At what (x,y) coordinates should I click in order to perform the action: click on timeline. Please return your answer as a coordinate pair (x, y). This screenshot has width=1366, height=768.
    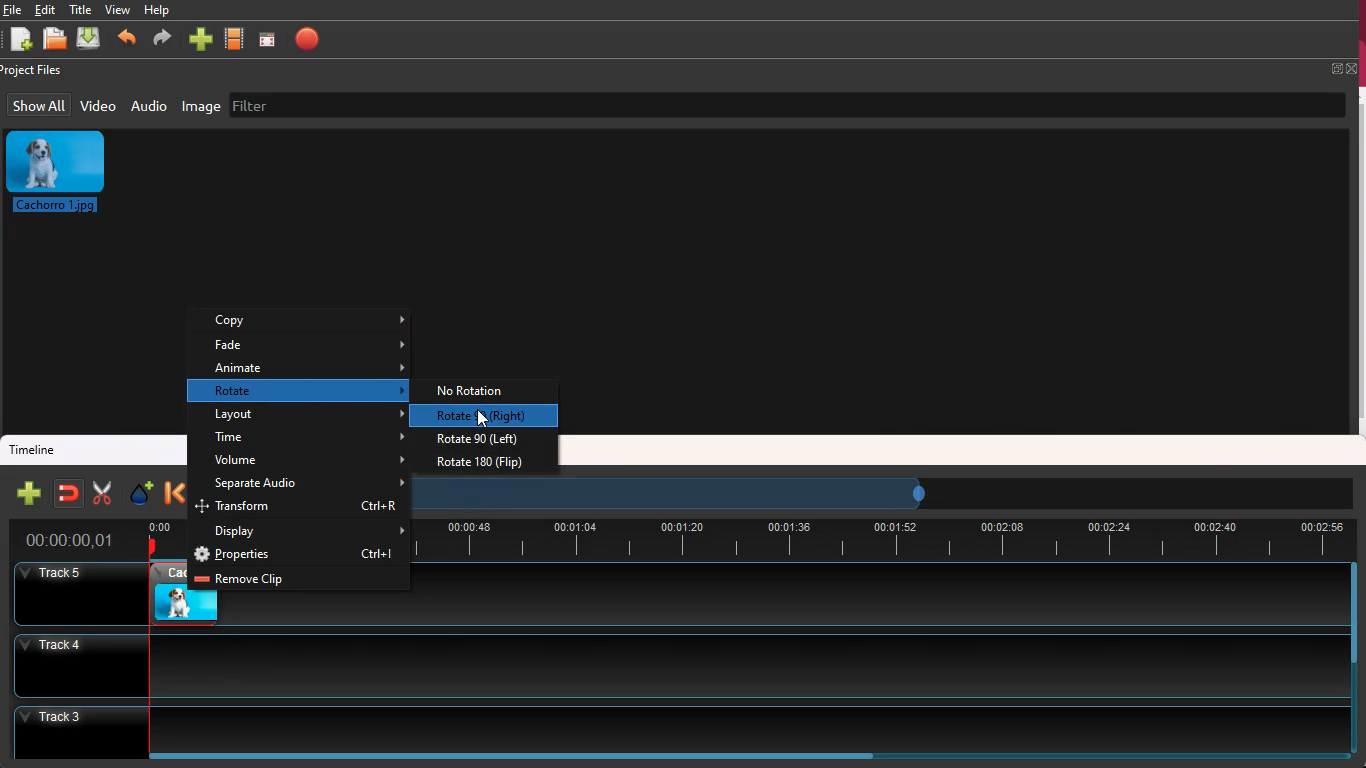
    Looking at the image, I should click on (887, 537).